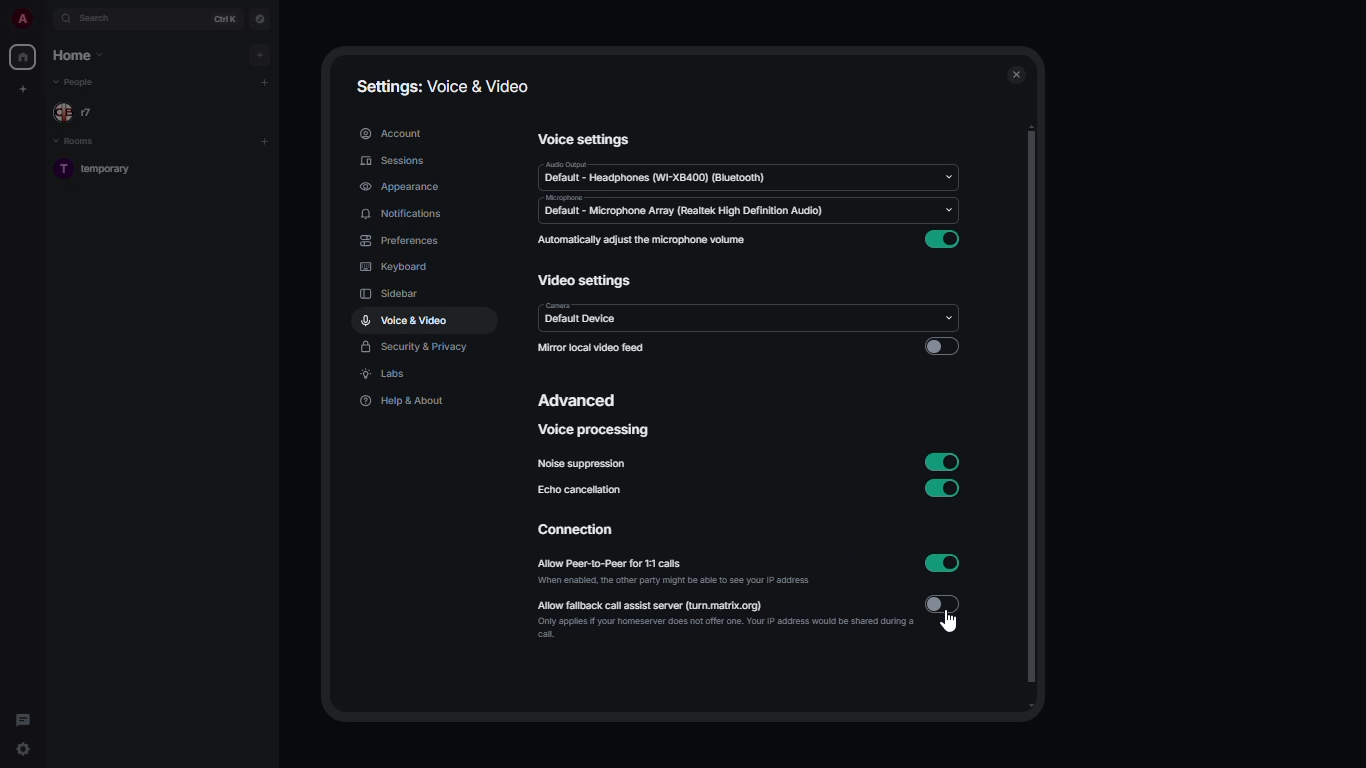 The height and width of the screenshot is (768, 1366). Describe the element at coordinates (580, 399) in the screenshot. I see `advanced` at that location.